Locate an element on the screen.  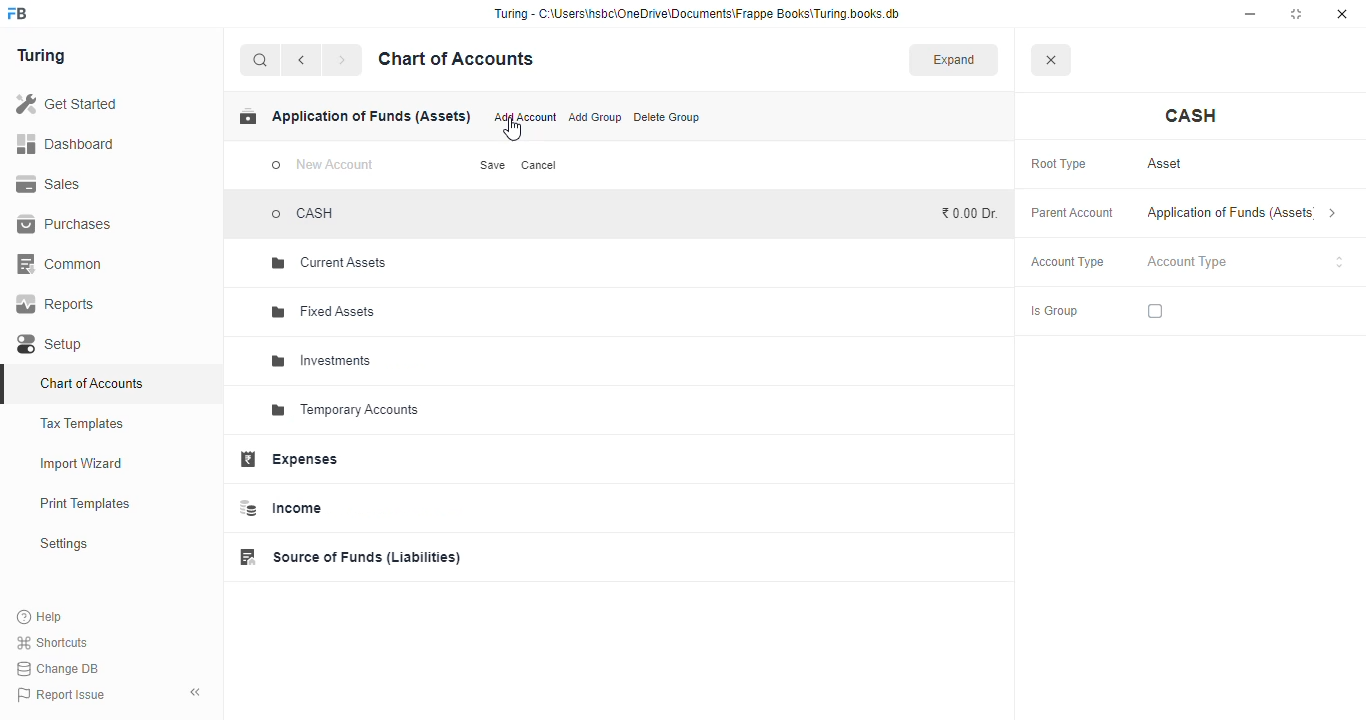
forward is located at coordinates (342, 60).